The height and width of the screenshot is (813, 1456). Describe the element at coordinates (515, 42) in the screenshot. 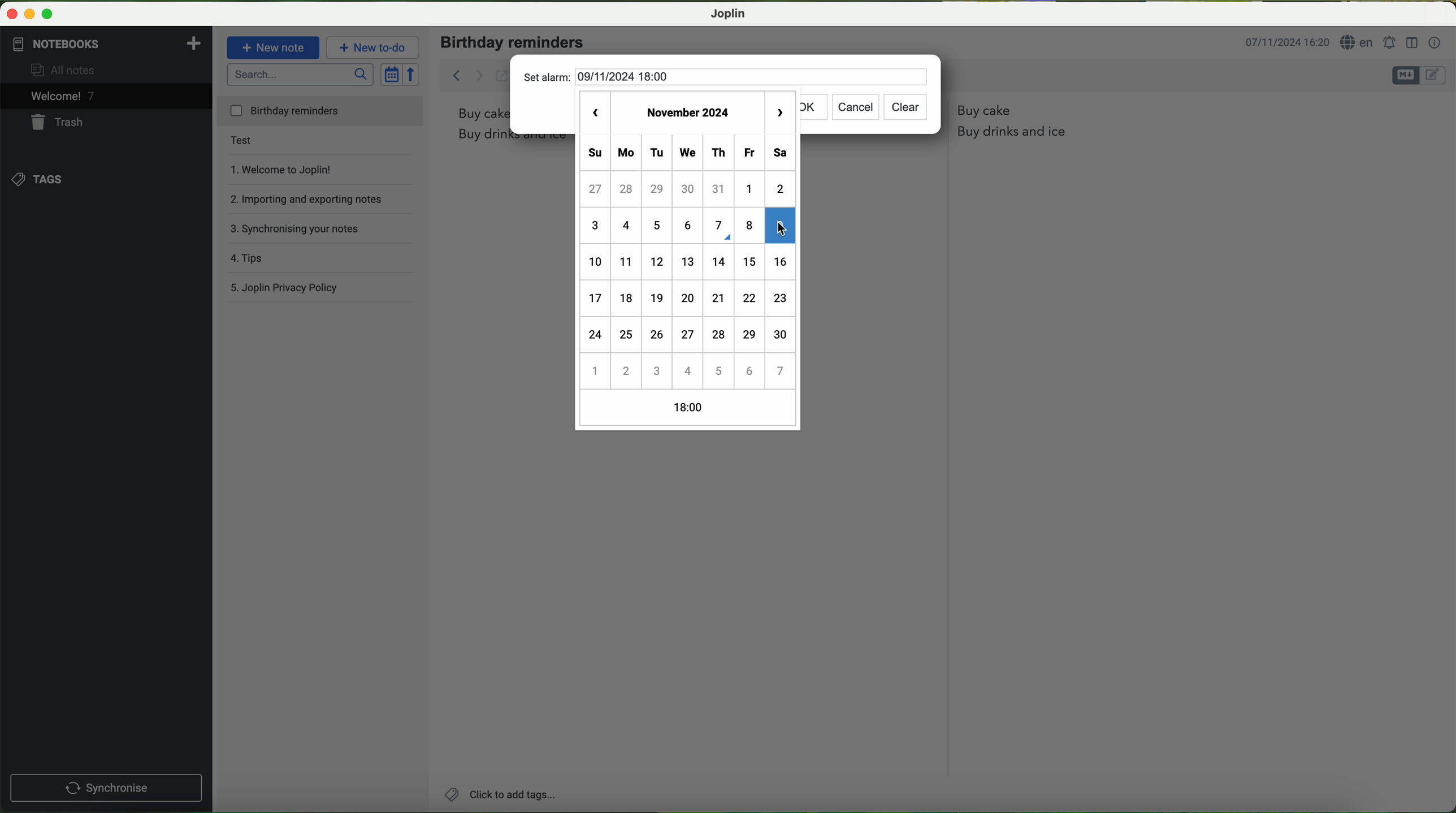

I see `birthday reminders` at that location.